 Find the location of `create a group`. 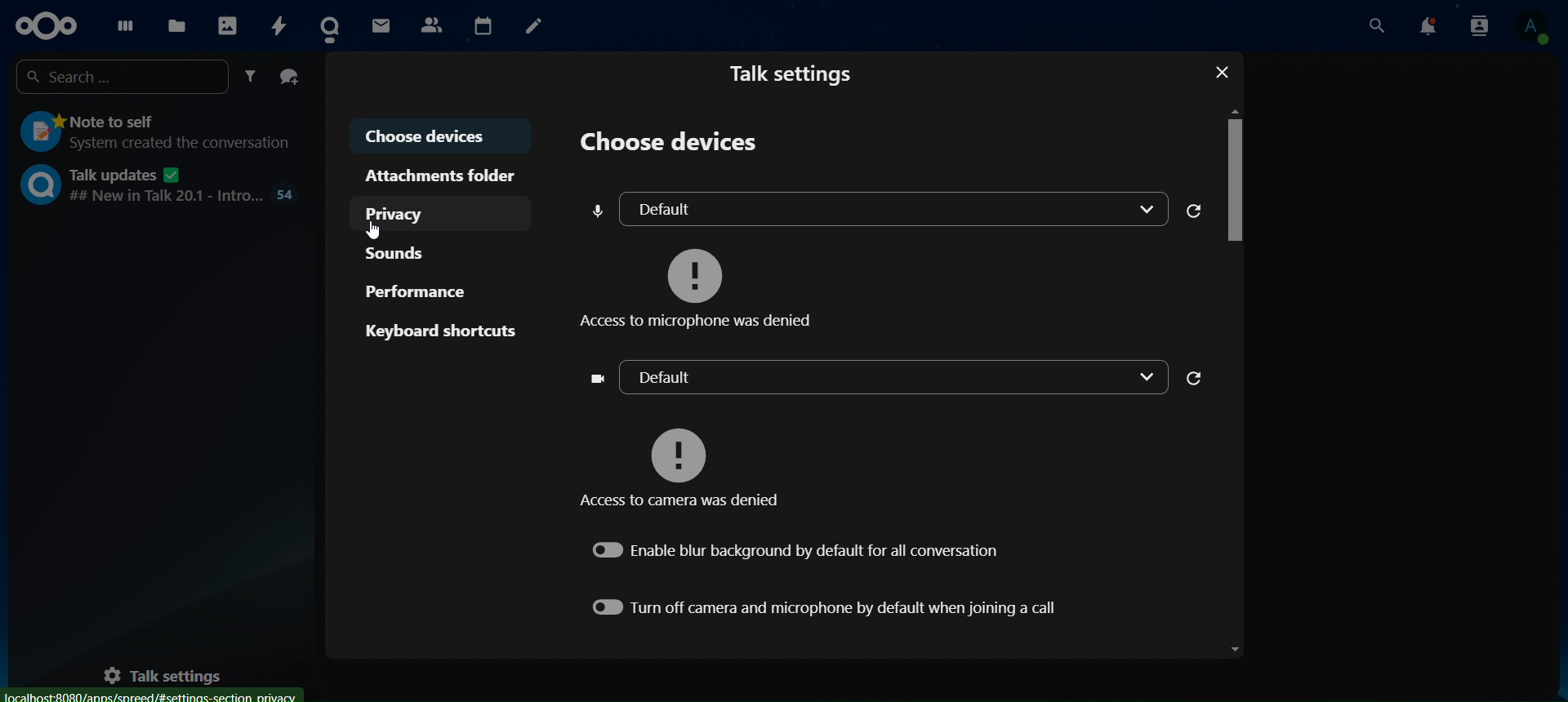

create a group is located at coordinates (290, 77).